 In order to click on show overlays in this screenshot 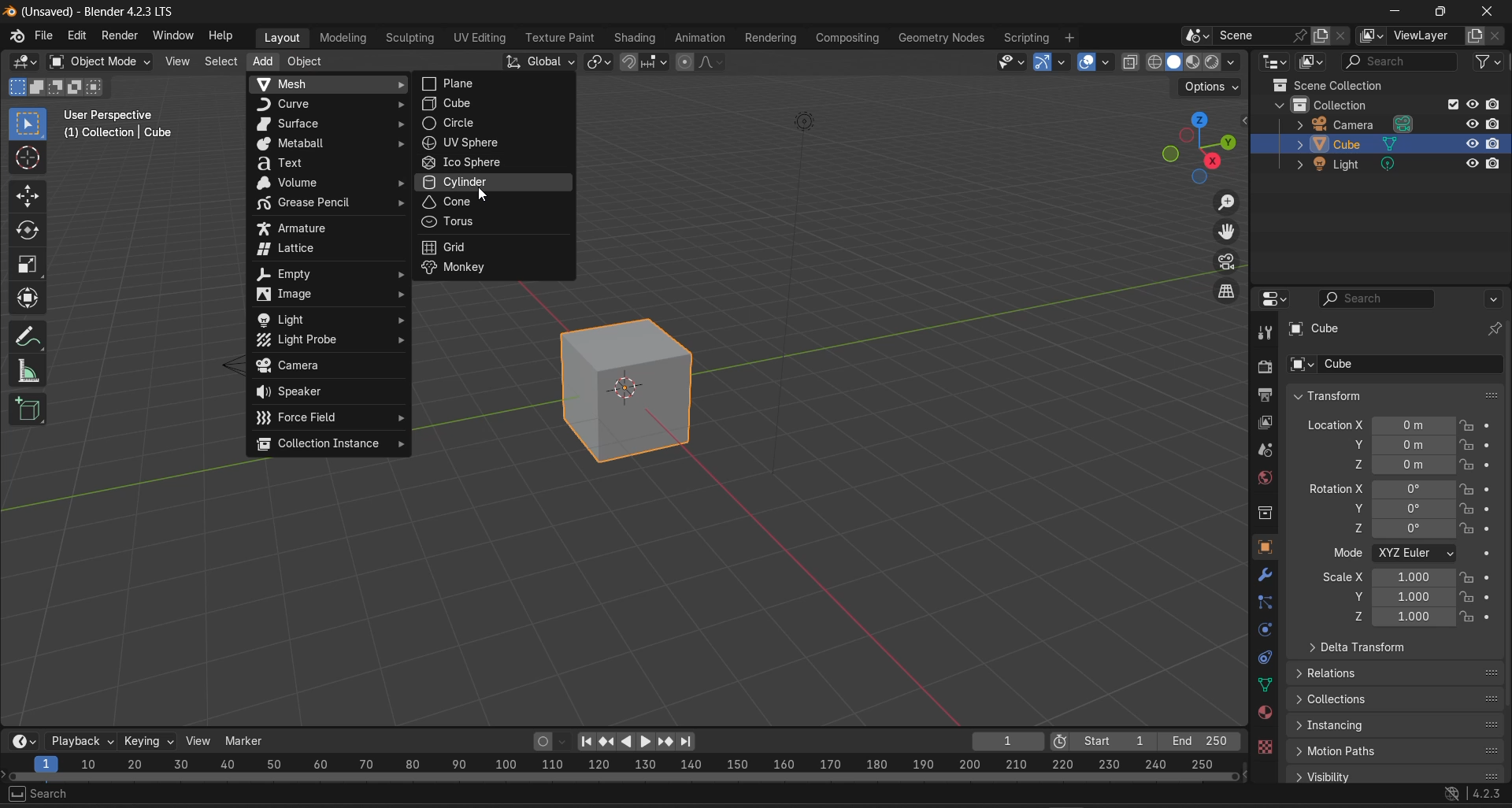, I will do `click(1088, 61)`.